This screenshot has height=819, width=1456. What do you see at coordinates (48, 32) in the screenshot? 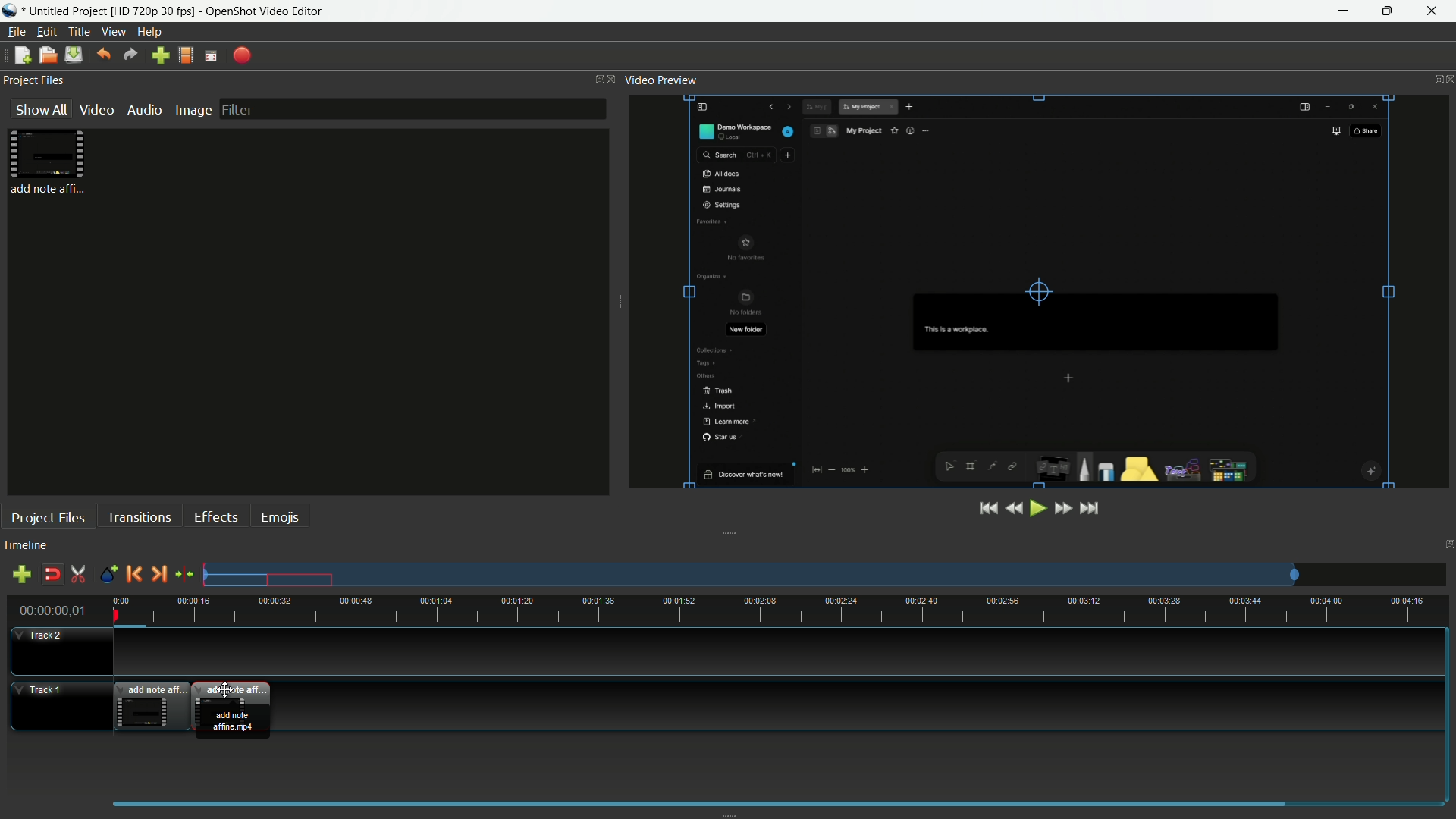
I see `edit menu` at bounding box center [48, 32].